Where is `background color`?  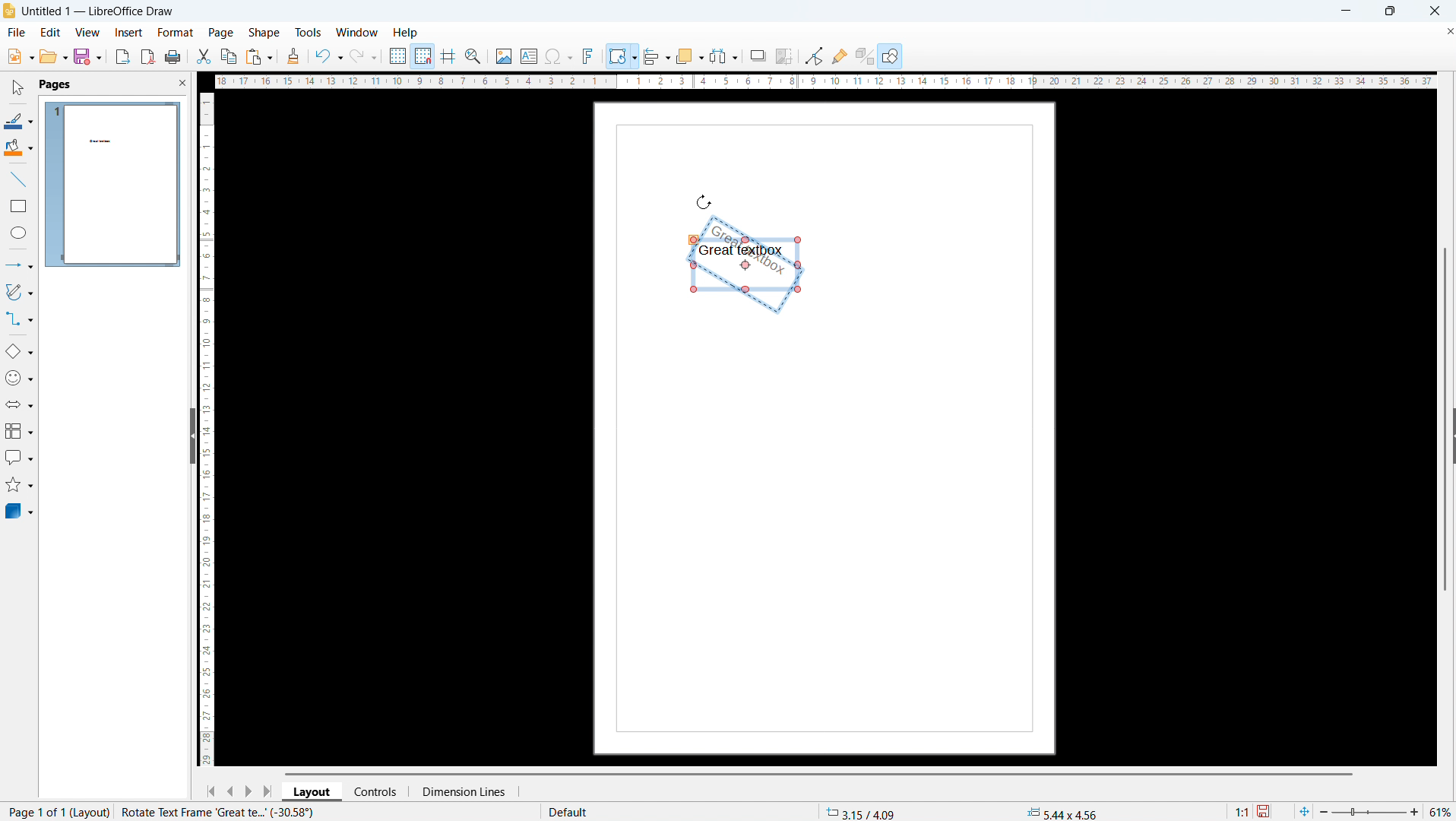
background color is located at coordinates (18, 148).